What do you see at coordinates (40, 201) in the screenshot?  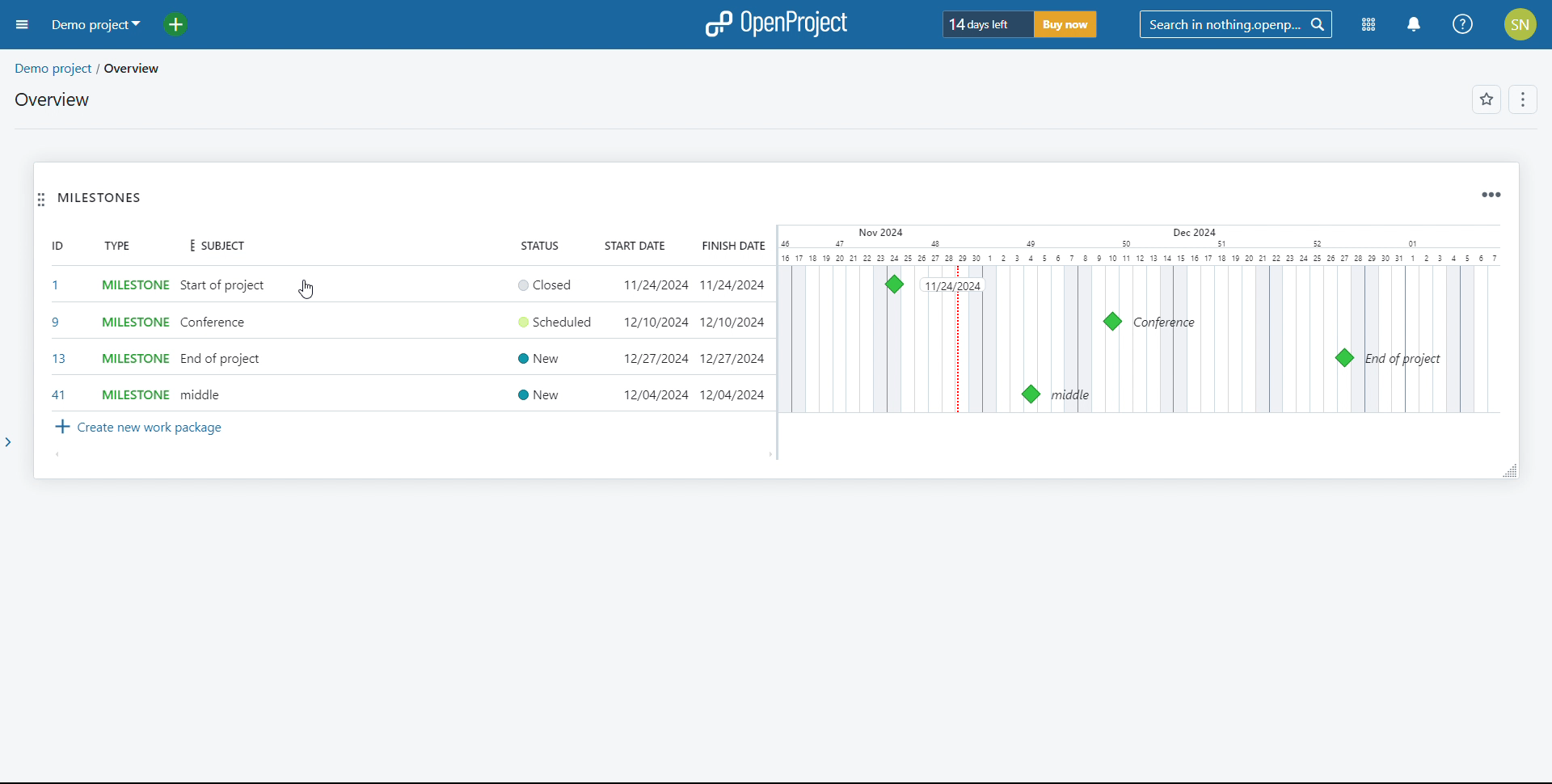 I see `move widget` at bounding box center [40, 201].